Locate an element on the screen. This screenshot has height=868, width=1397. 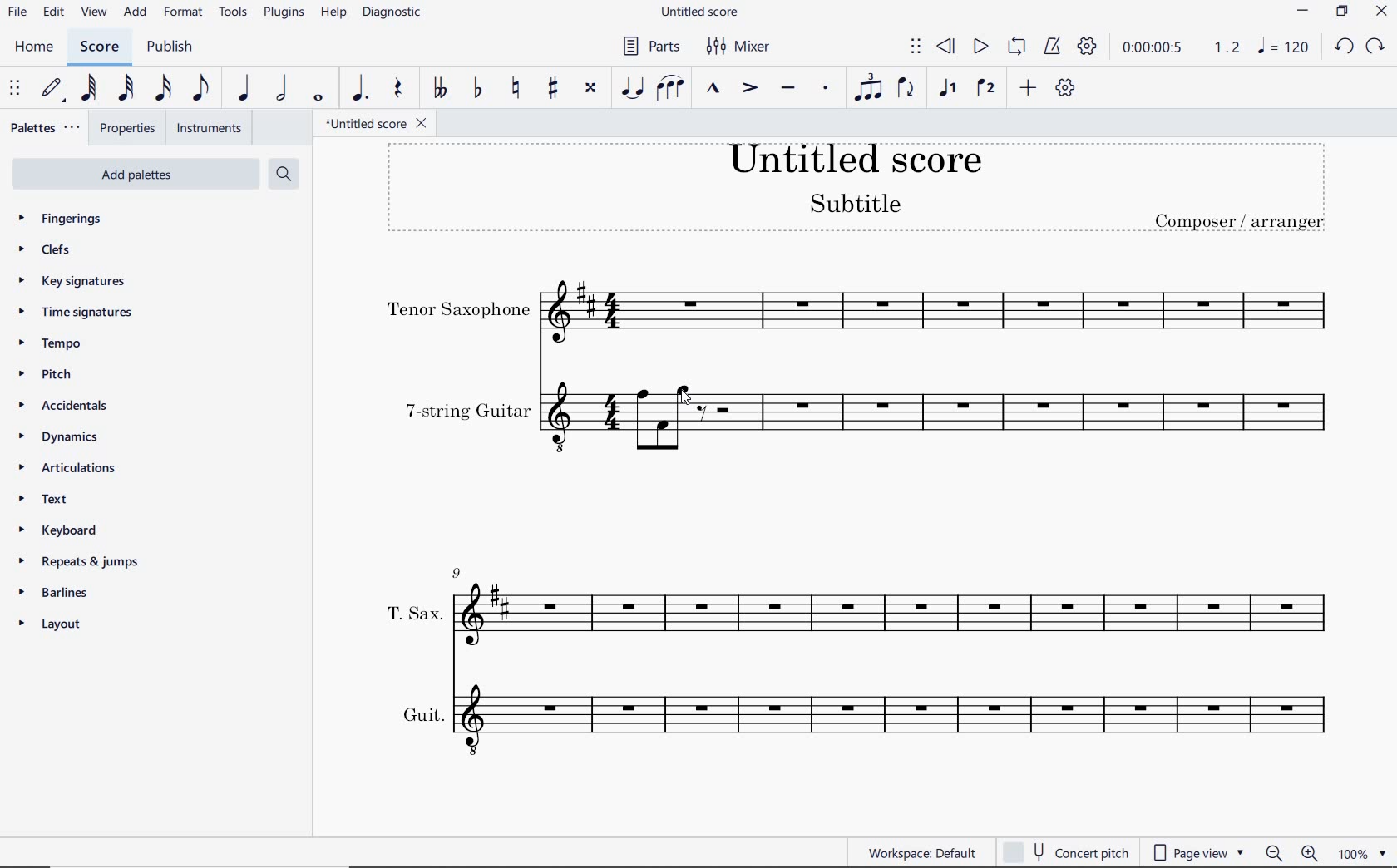
FORMAT is located at coordinates (184, 12).